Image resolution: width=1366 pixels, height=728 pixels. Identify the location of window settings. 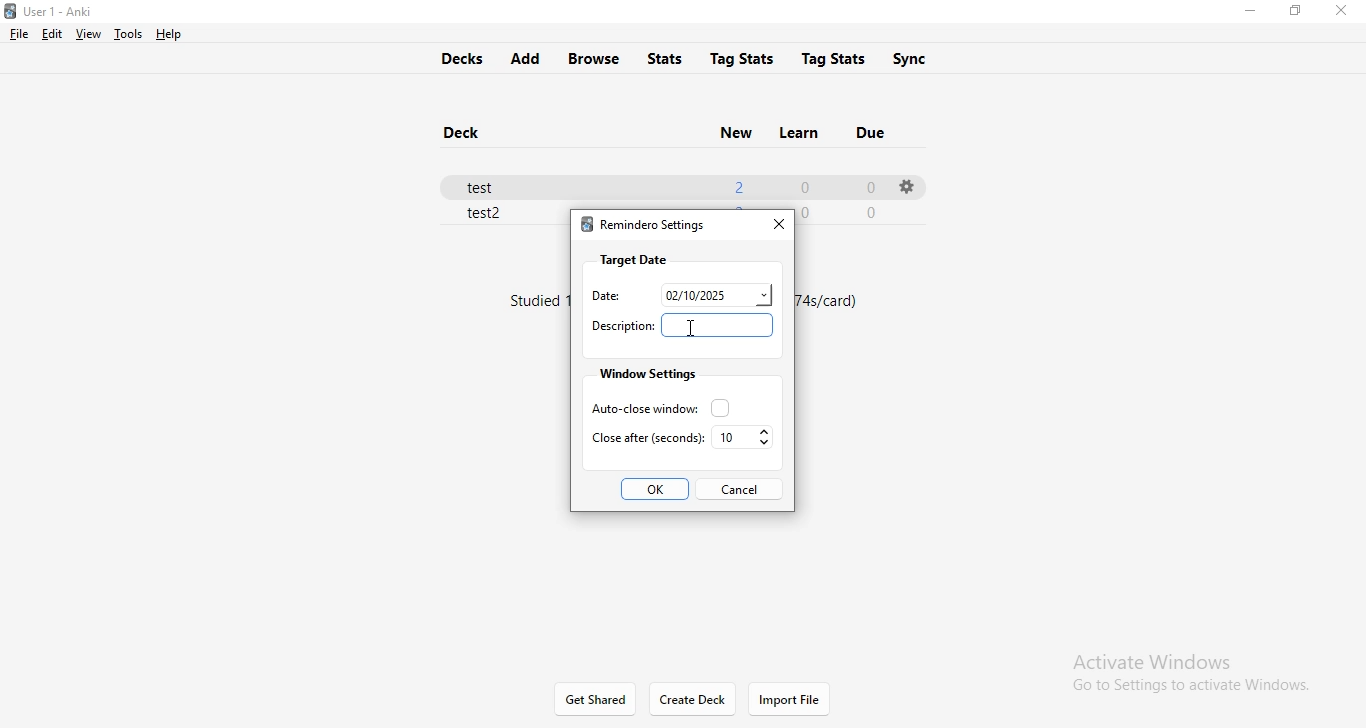
(645, 374).